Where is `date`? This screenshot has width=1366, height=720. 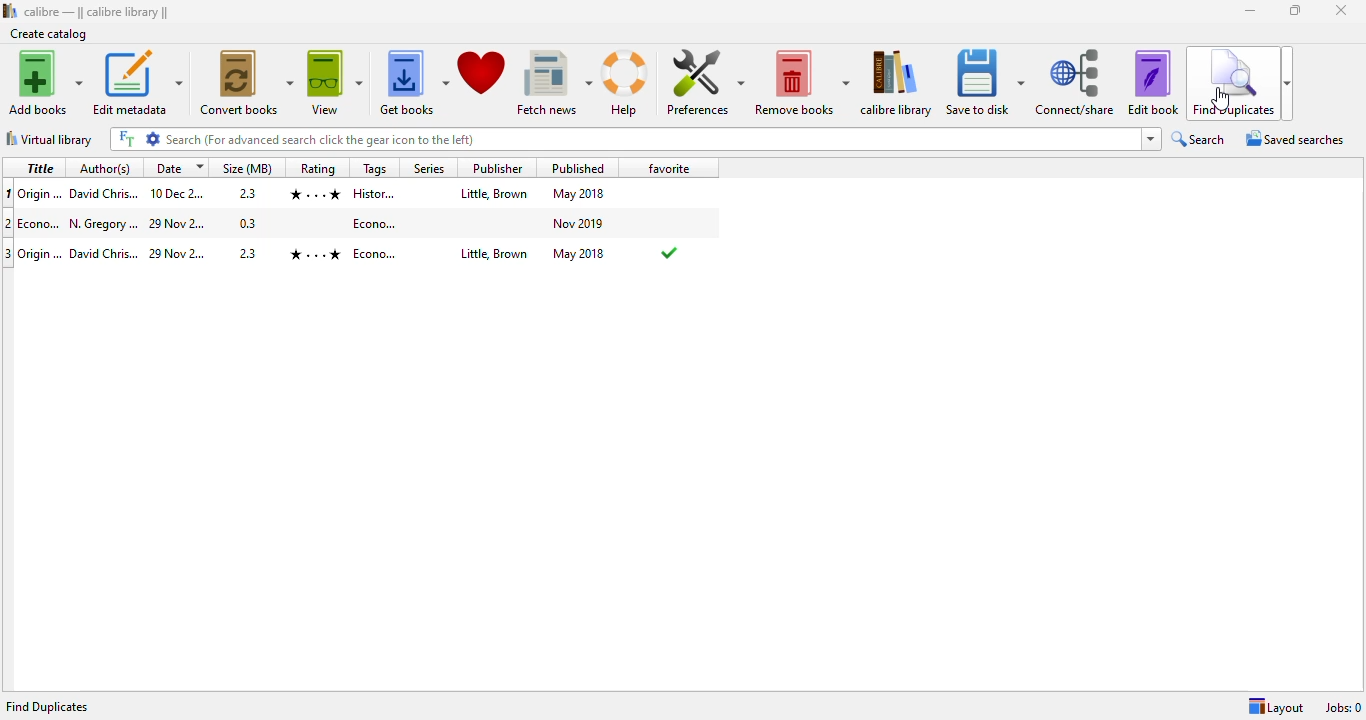 date is located at coordinates (178, 168).